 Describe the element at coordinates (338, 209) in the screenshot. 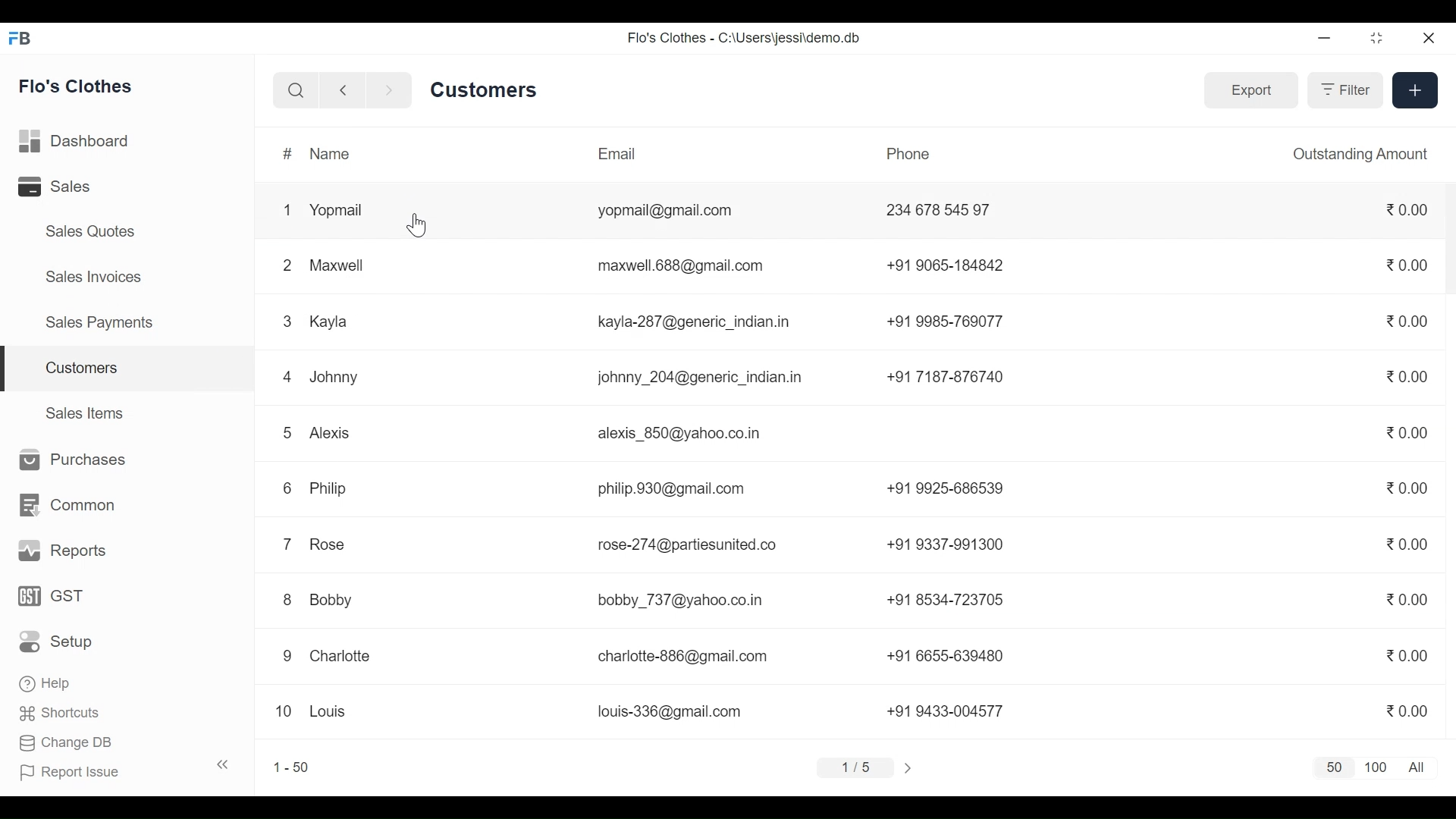

I see `Yopmail` at that location.